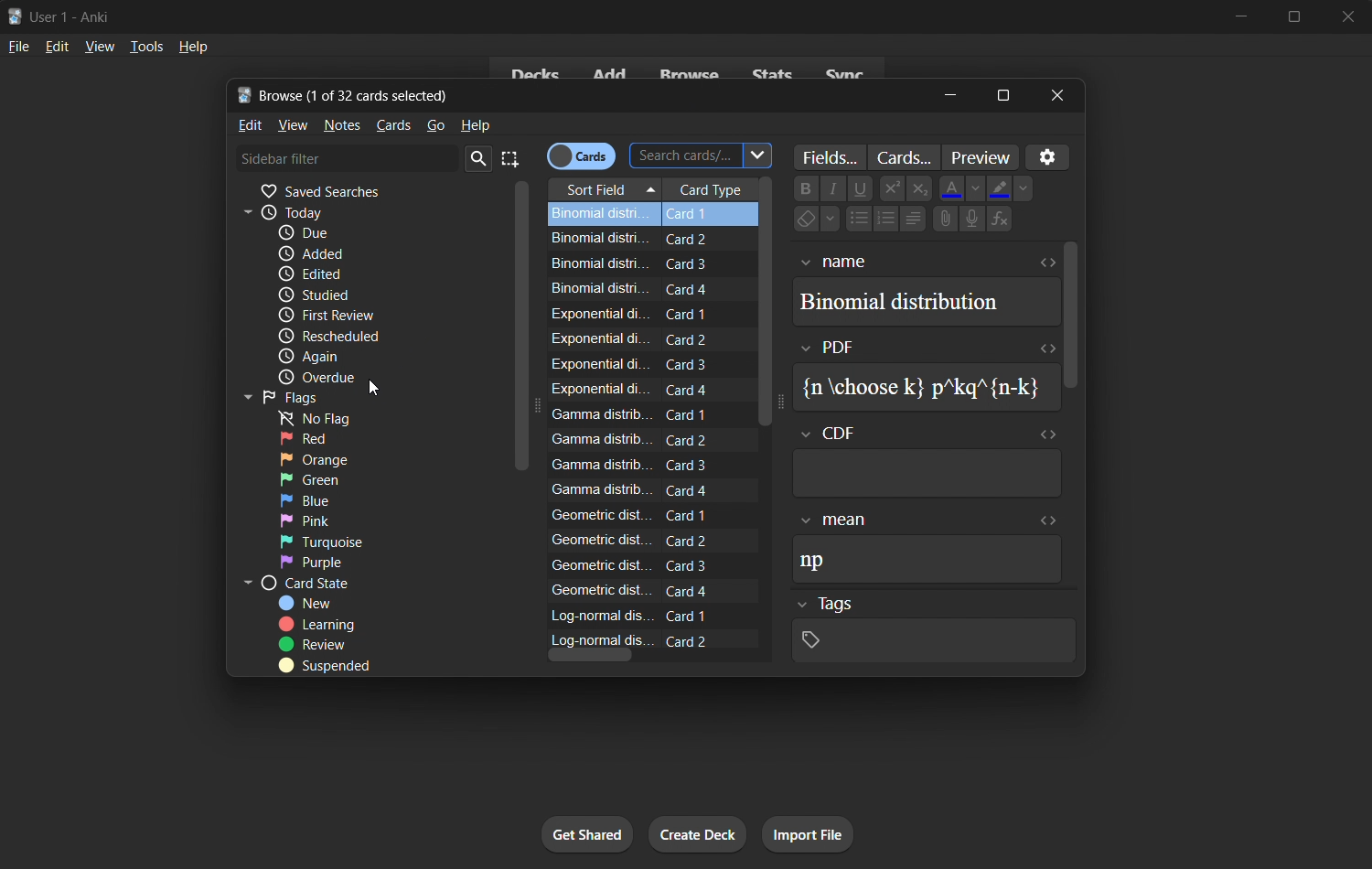  Describe the element at coordinates (335, 519) in the screenshot. I see `pink ` at that location.